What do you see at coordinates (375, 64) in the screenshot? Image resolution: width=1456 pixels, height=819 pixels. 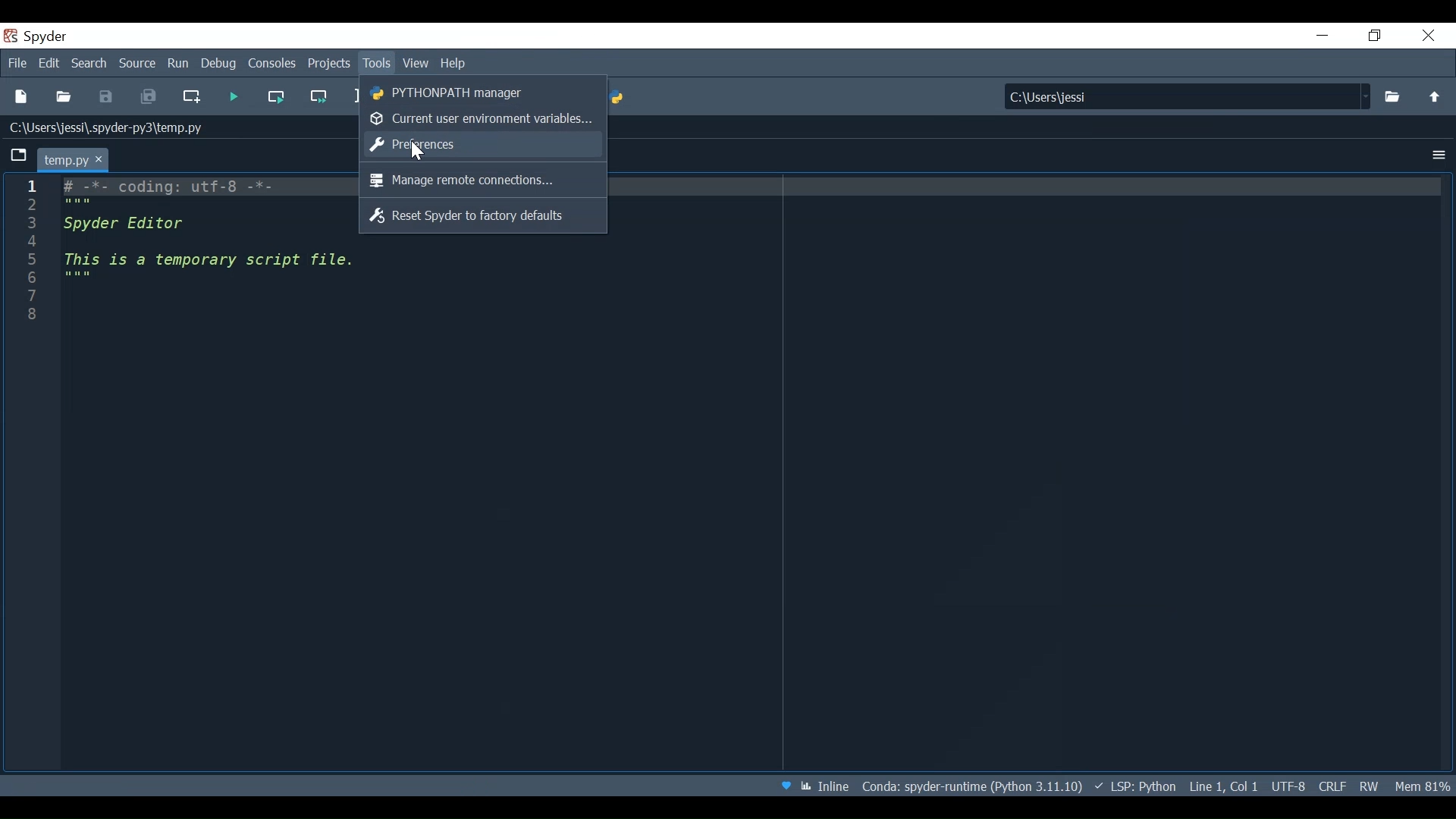 I see `Tools` at bounding box center [375, 64].